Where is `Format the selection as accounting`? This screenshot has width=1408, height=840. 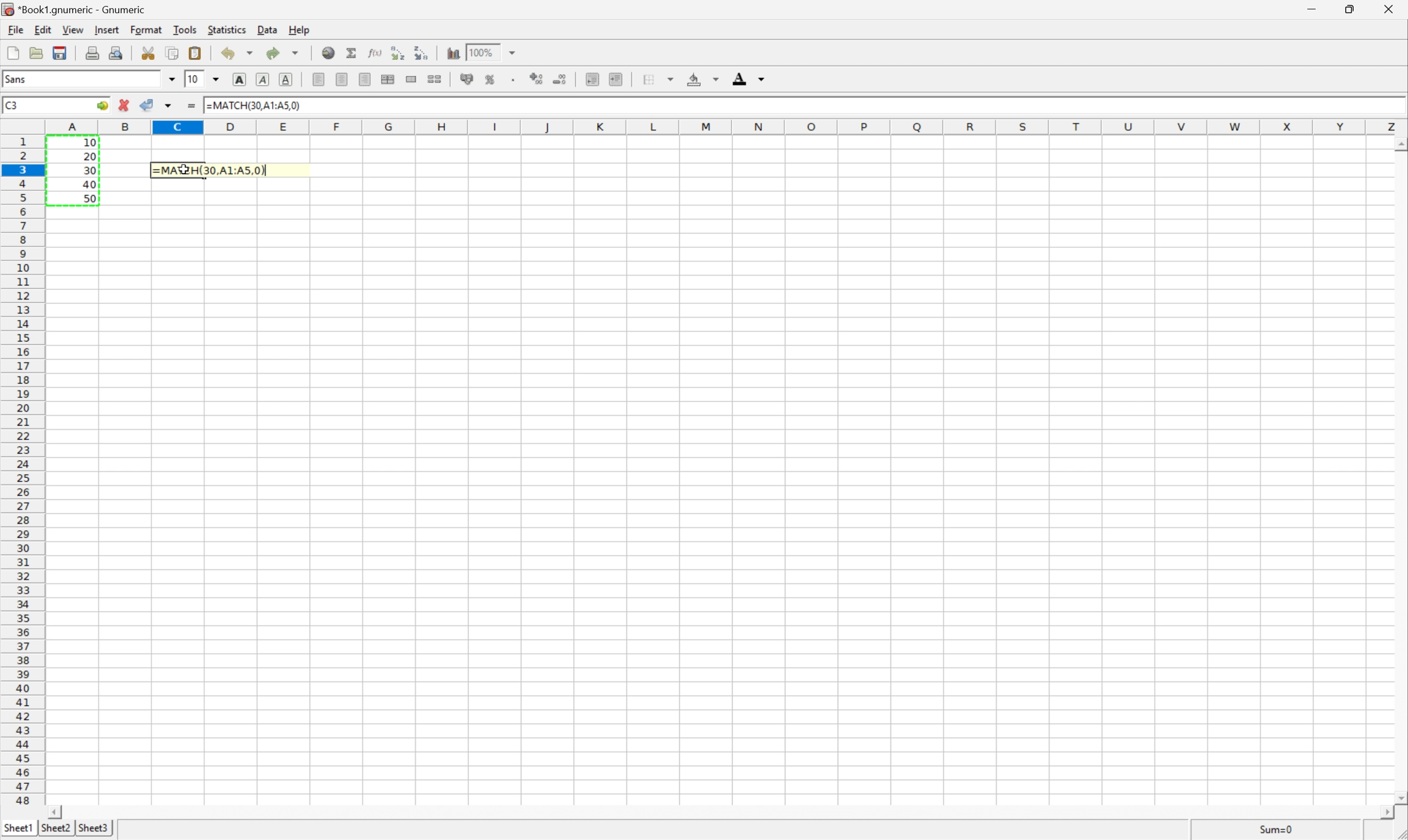 Format the selection as accounting is located at coordinates (467, 77).